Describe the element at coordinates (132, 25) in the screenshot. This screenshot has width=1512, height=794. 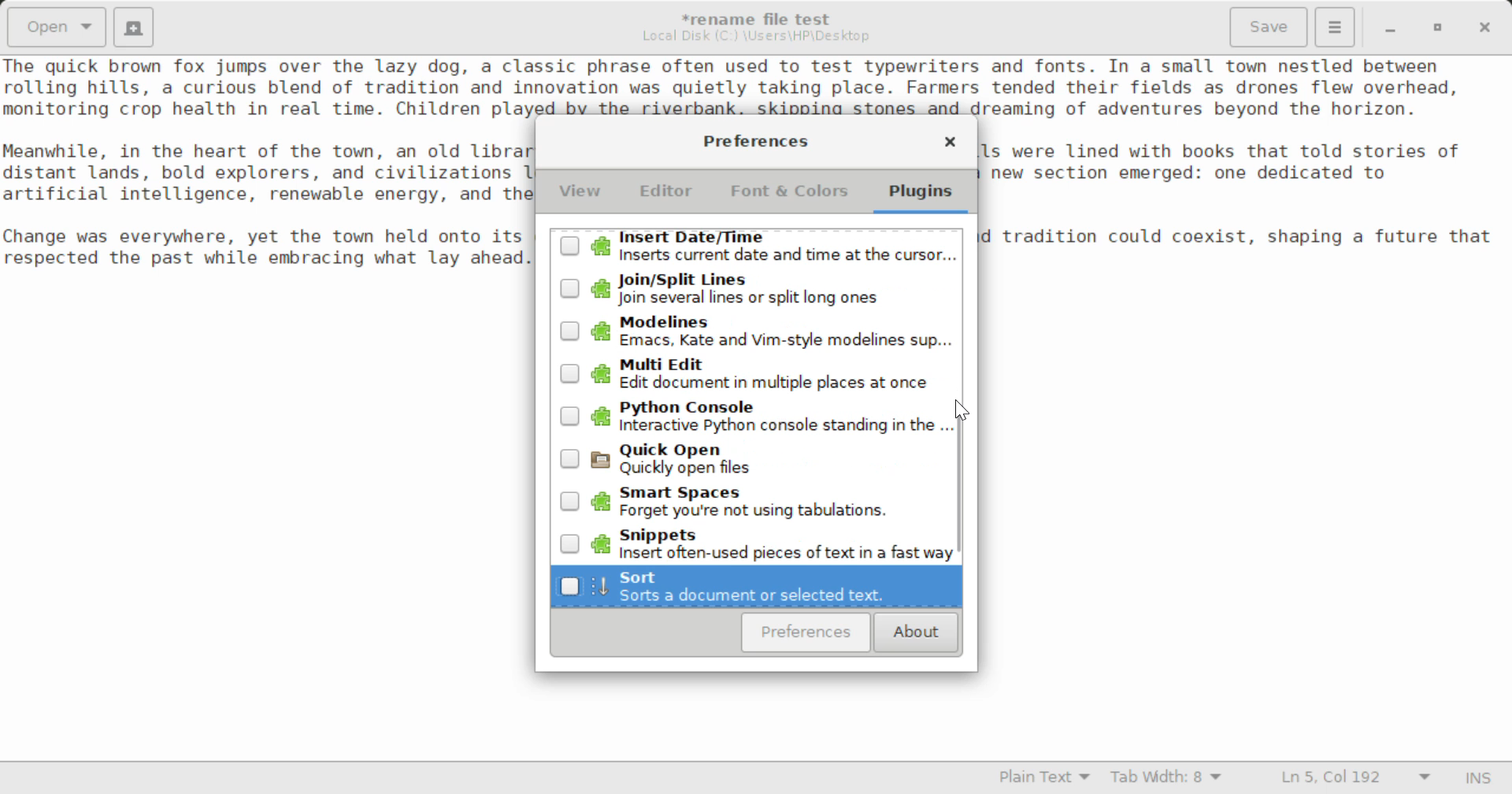
I see `Create New Document` at that location.